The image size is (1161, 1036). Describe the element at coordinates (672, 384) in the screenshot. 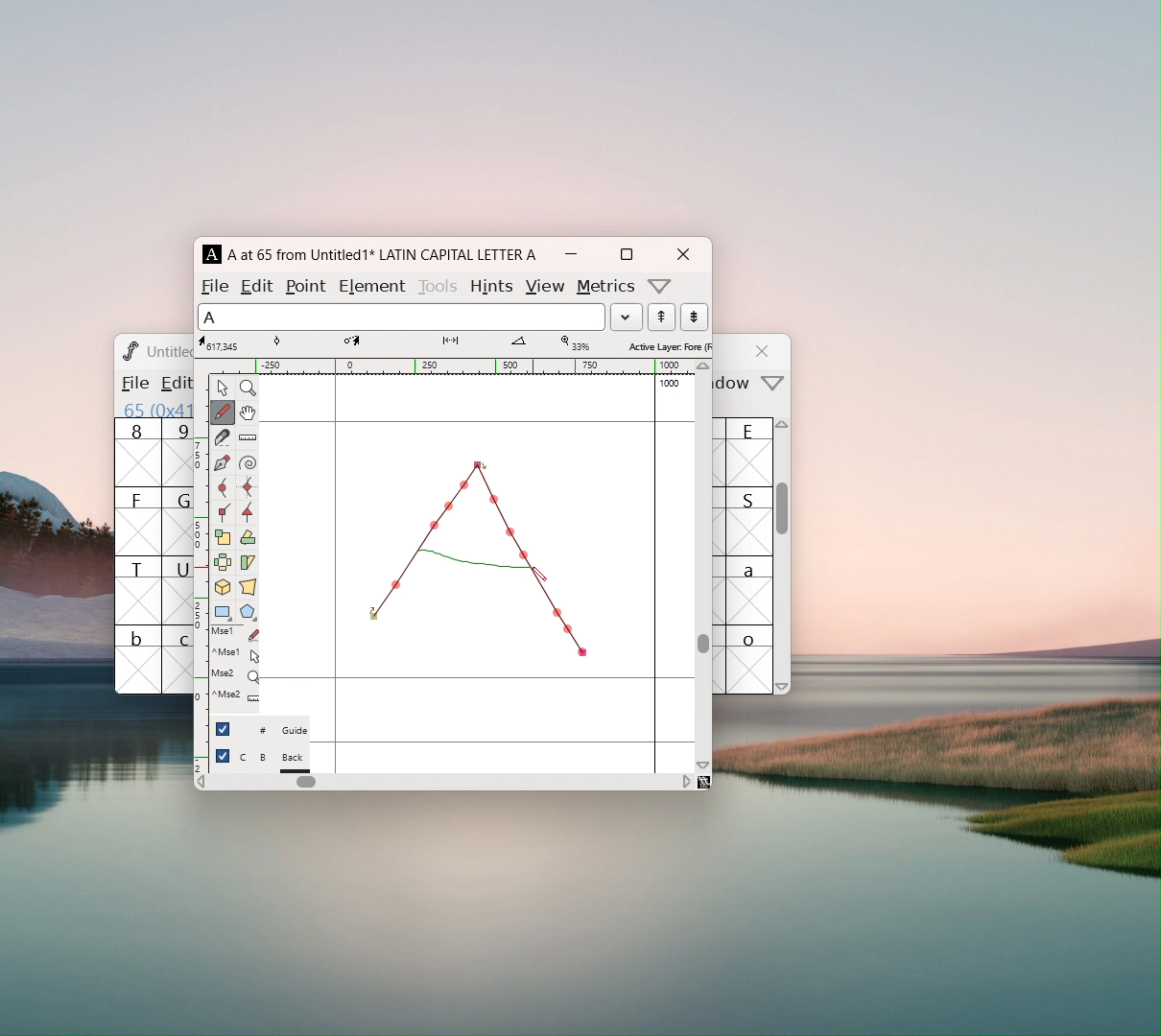

I see `1000` at that location.